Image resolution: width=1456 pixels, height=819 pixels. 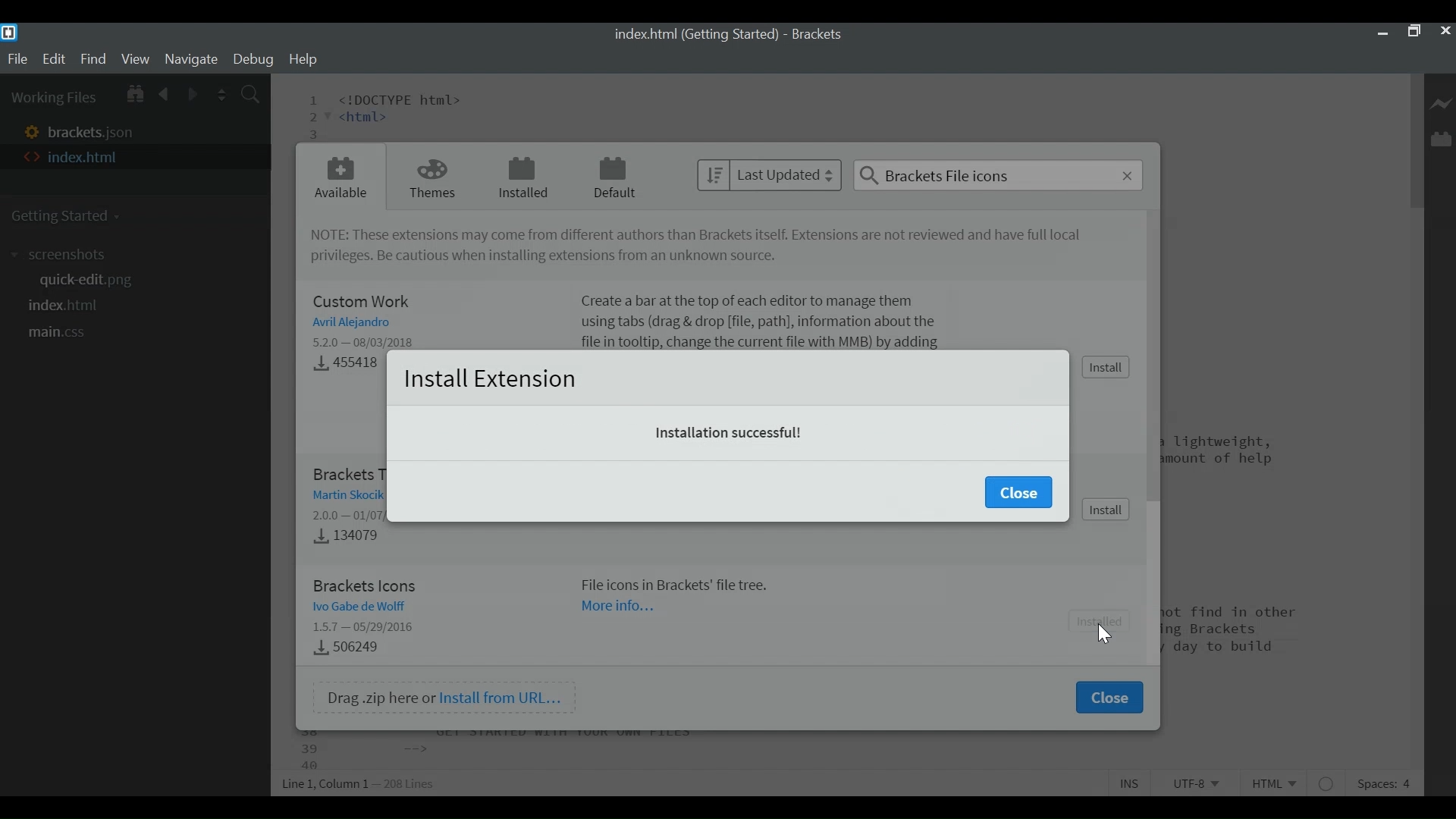 What do you see at coordinates (1104, 637) in the screenshot?
I see `Cursor` at bounding box center [1104, 637].